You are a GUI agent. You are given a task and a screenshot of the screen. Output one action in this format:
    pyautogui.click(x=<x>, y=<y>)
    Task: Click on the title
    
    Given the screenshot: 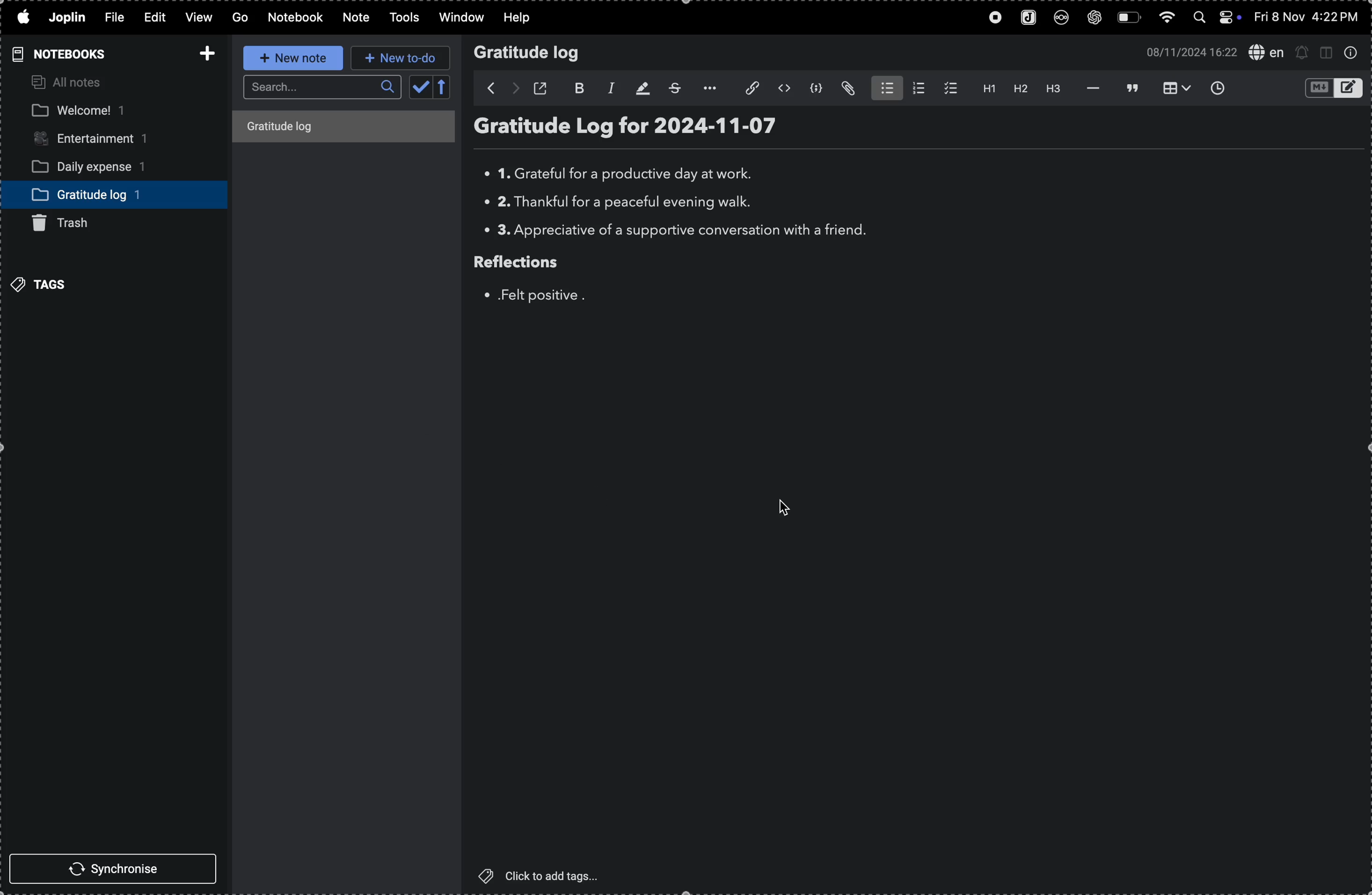 What is the action you would take?
    pyautogui.click(x=307, y=127)
    